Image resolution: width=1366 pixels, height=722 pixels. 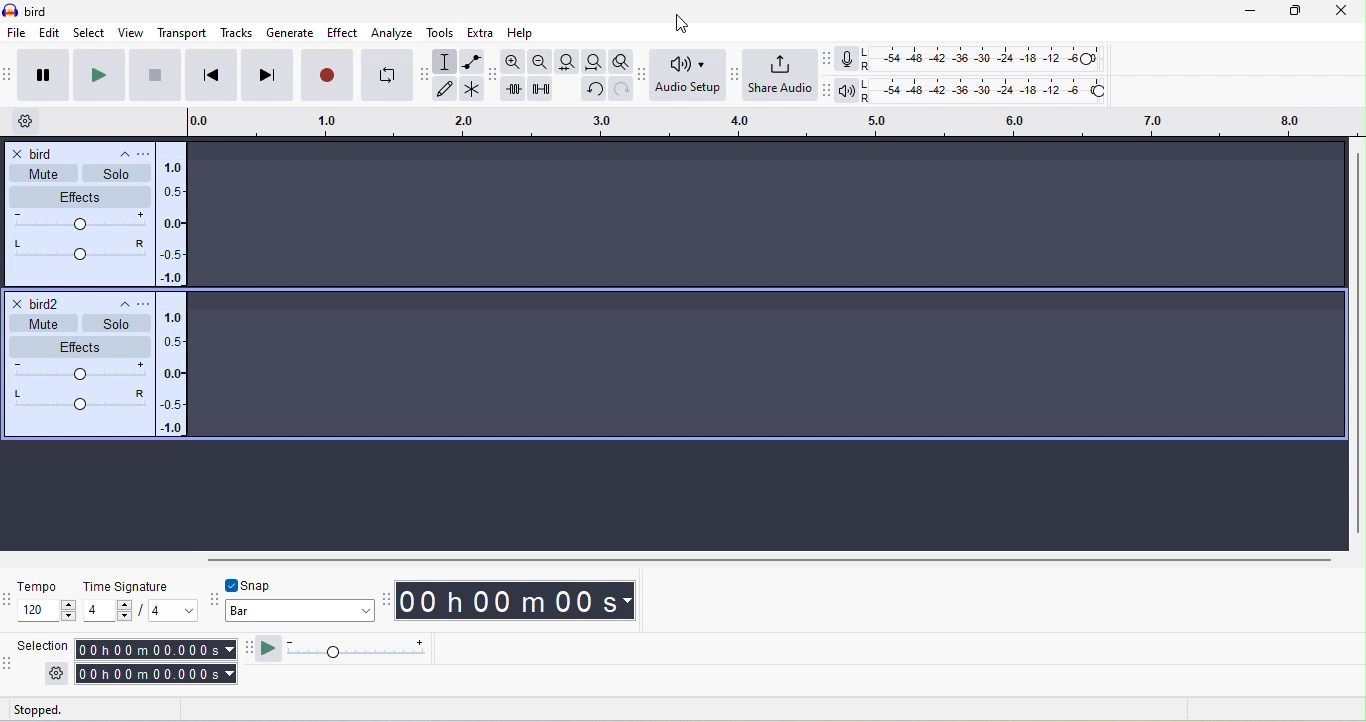 I want to click on collapse, so click(x=116, y=303).